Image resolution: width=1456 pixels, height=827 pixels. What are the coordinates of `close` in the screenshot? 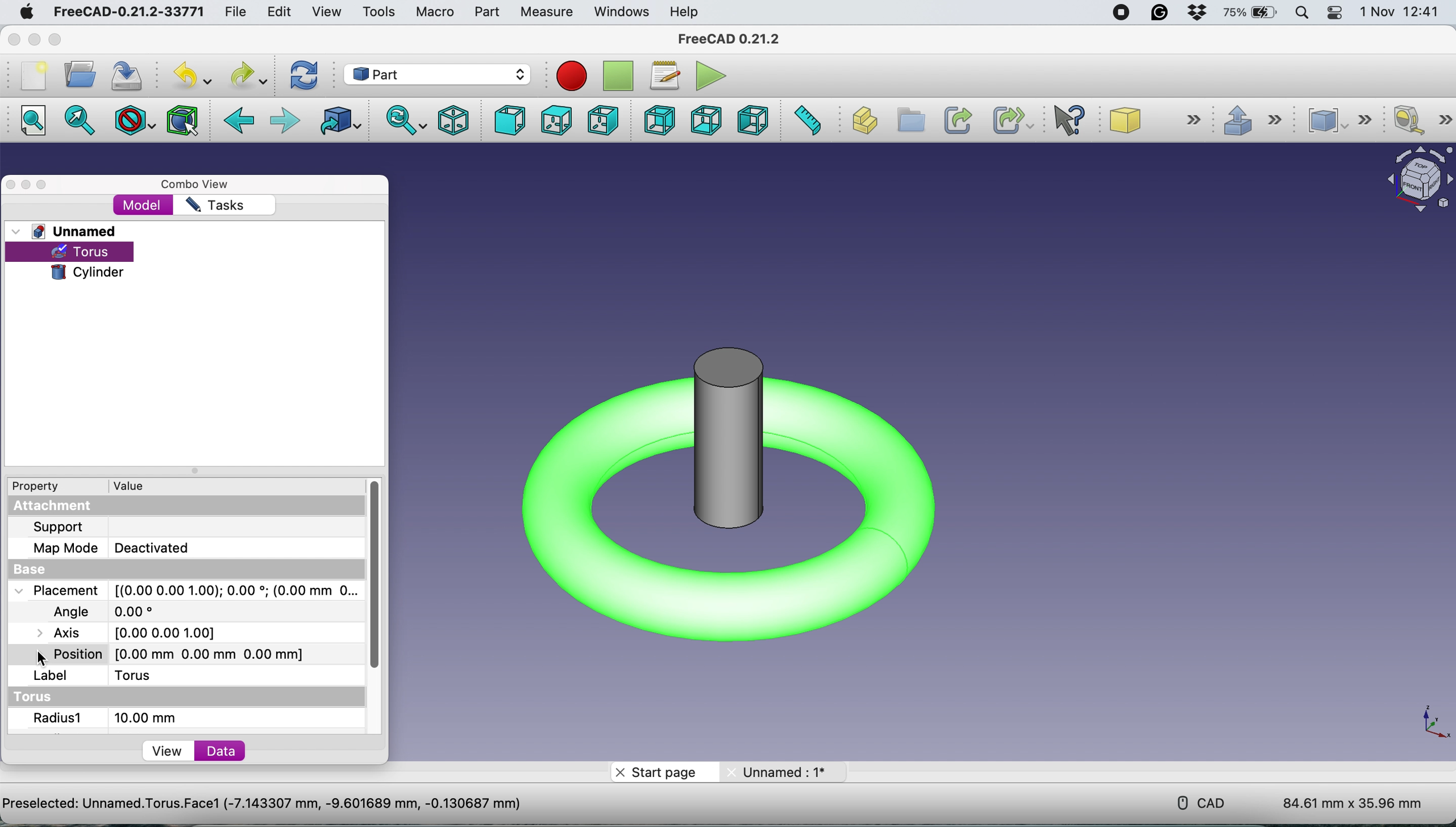 It's located at (12, 40).